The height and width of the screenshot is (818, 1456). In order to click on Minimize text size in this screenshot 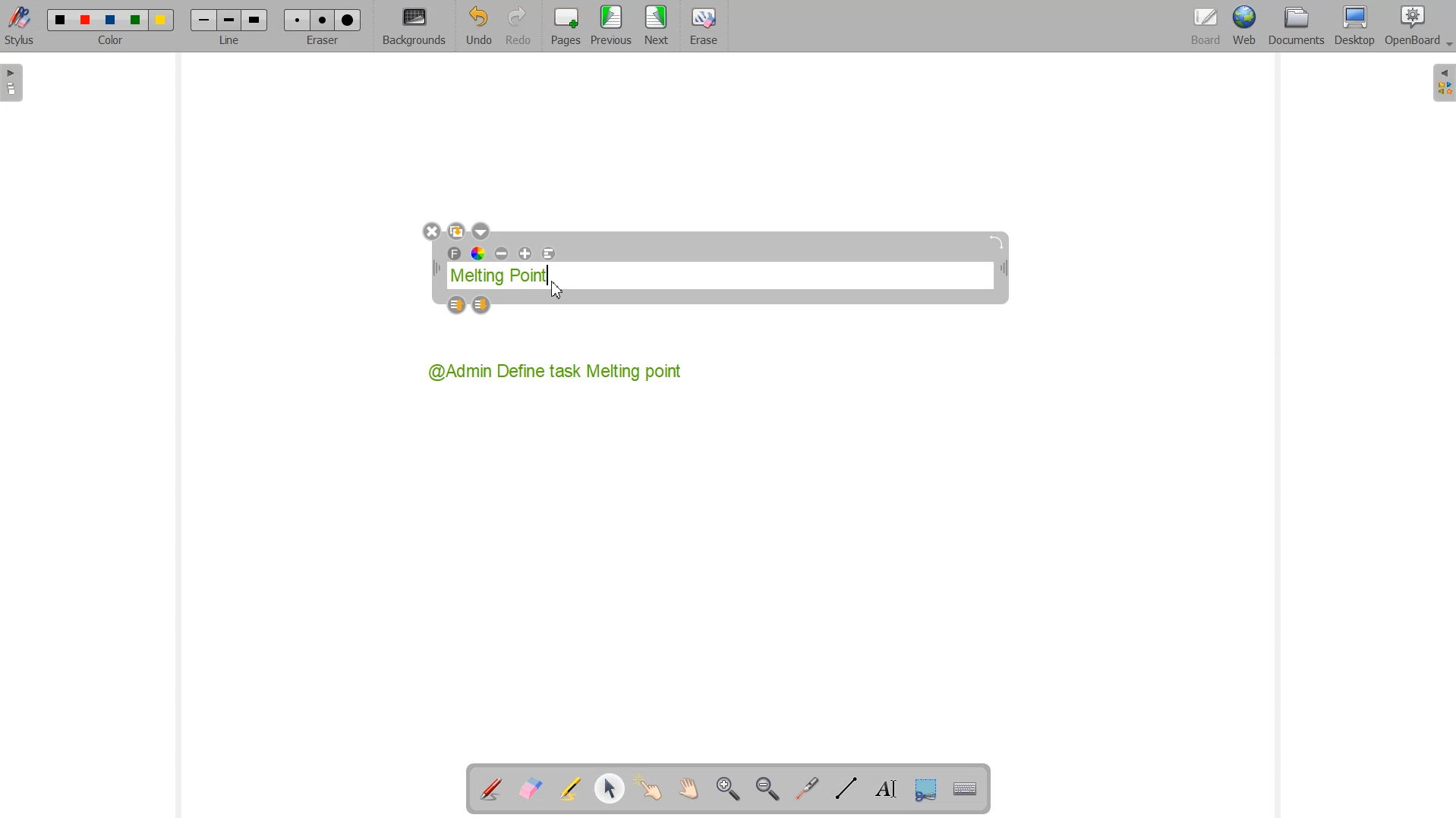, I will do `click(503, 254)`.